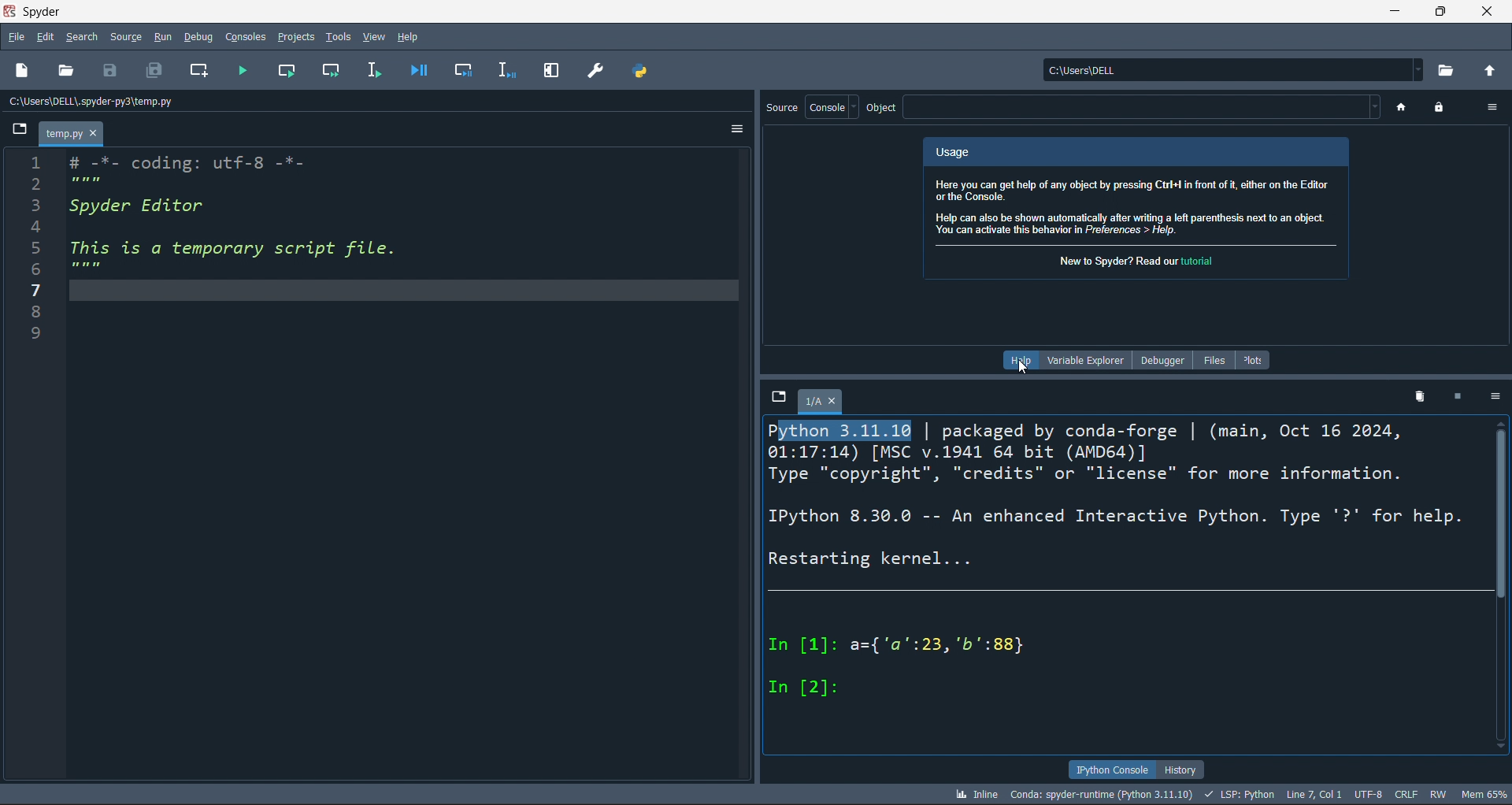 The image size is (1512, 805). What do you see at coordinates (1125, 107) in the screenshot?
I see `object` at bounding box center [1125, 107].